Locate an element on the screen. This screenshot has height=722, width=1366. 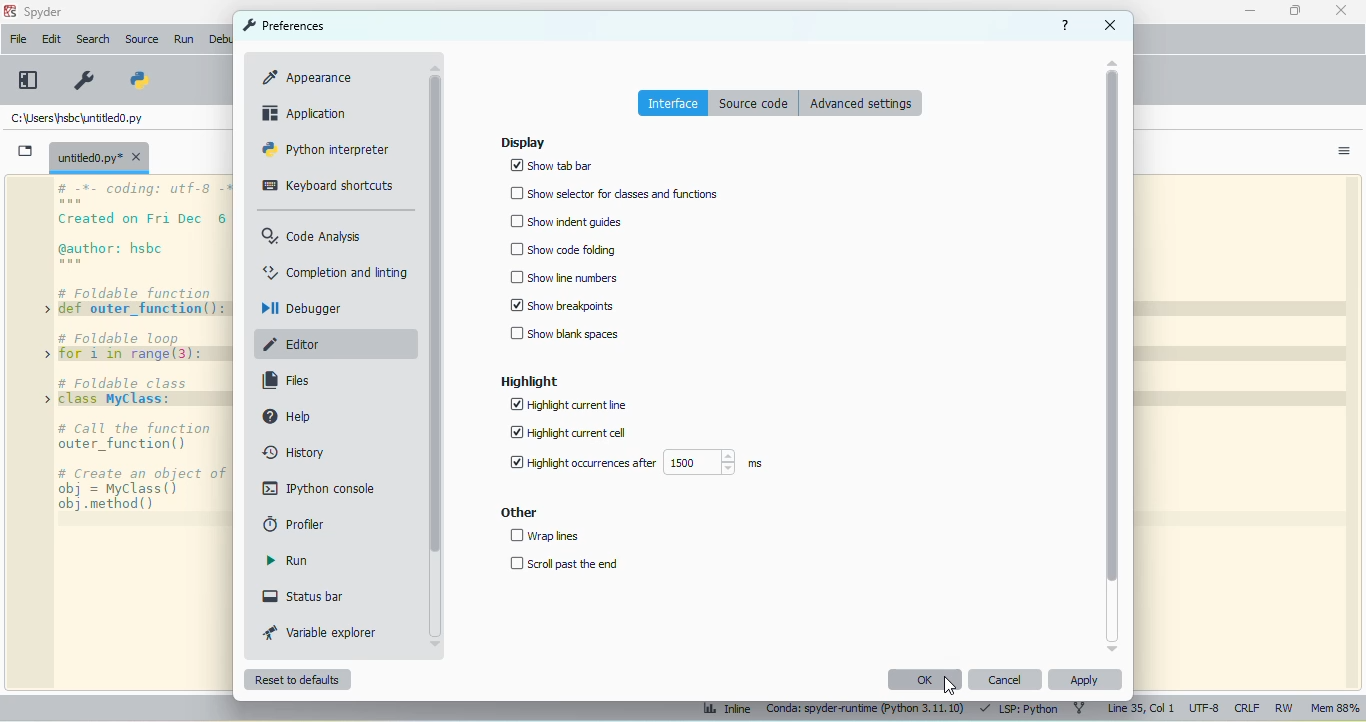
run is located at coordinates (287, 560).